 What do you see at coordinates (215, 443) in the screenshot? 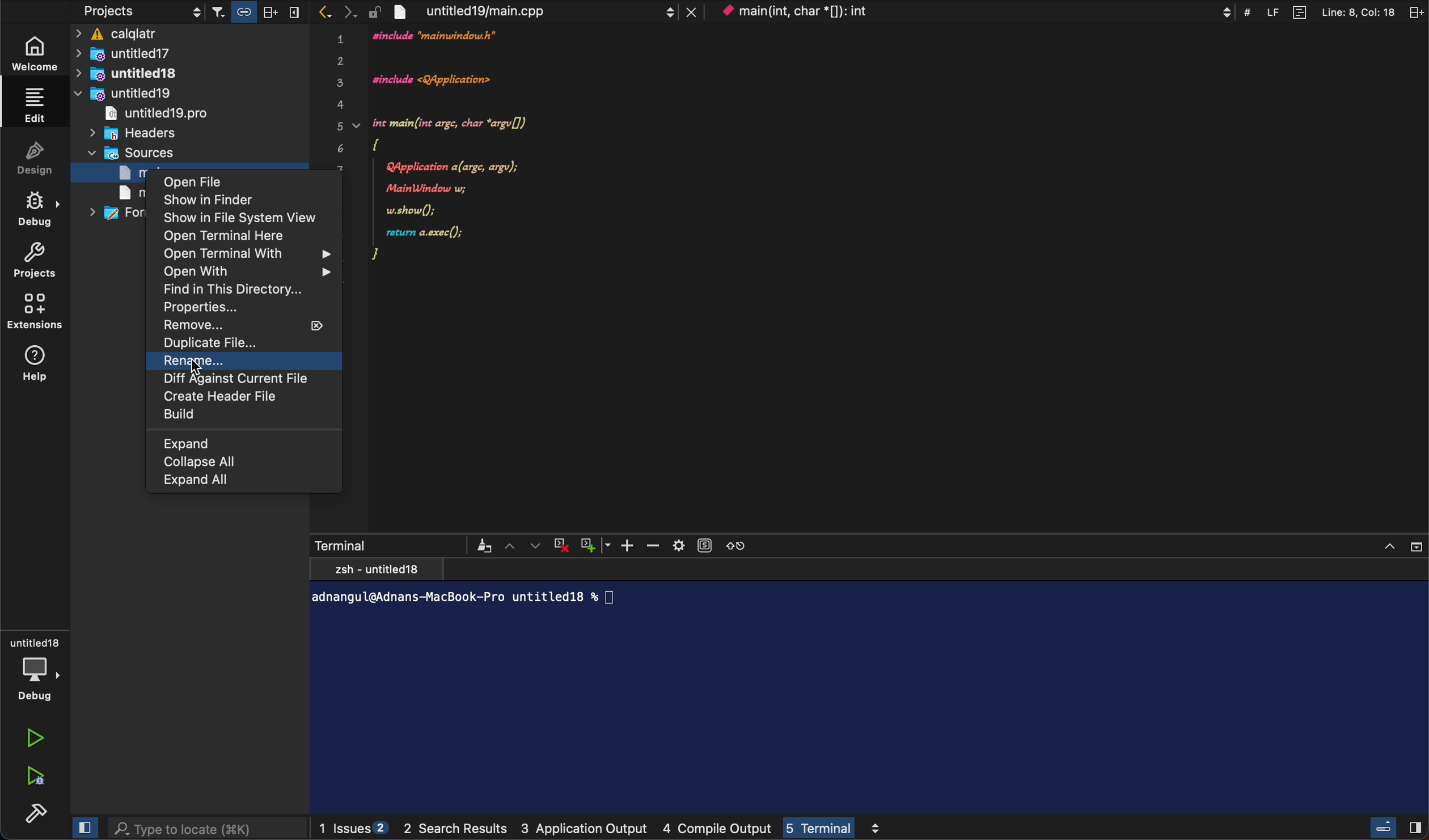
I see `expand` at bounding box center [215, 443].